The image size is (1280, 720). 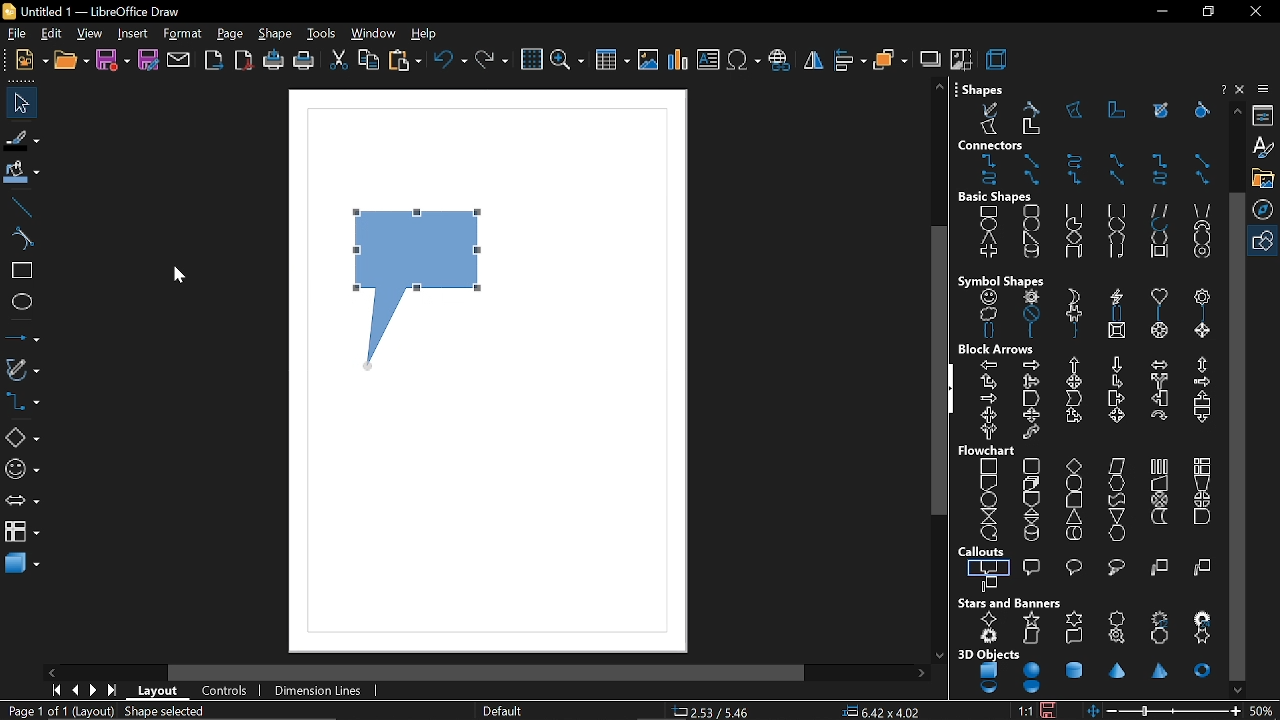 I want to click on gallery, so click(x=1265, y=178).